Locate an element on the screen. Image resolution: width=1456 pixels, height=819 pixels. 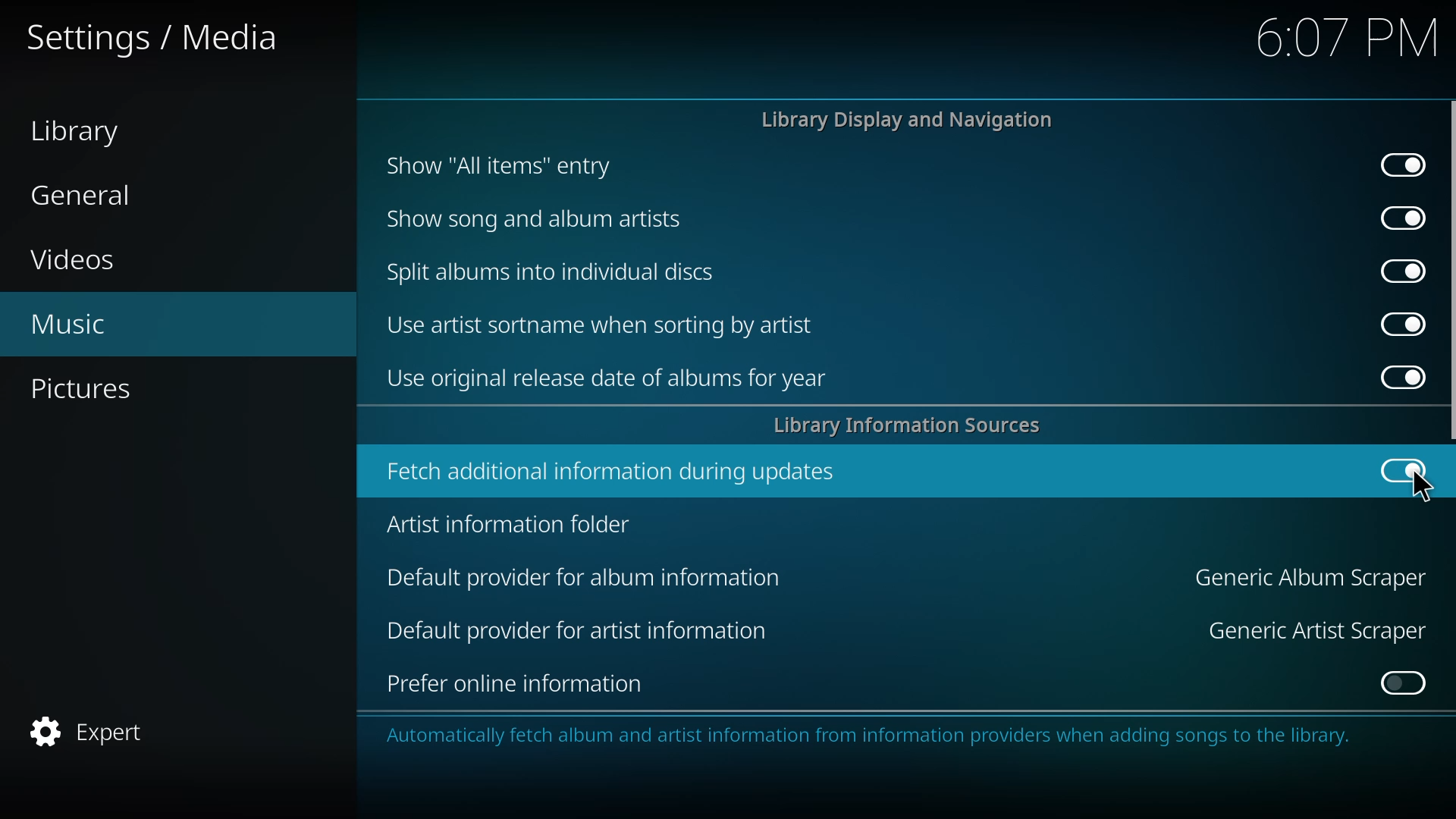
enabled is located at coordinates (1404, 269).